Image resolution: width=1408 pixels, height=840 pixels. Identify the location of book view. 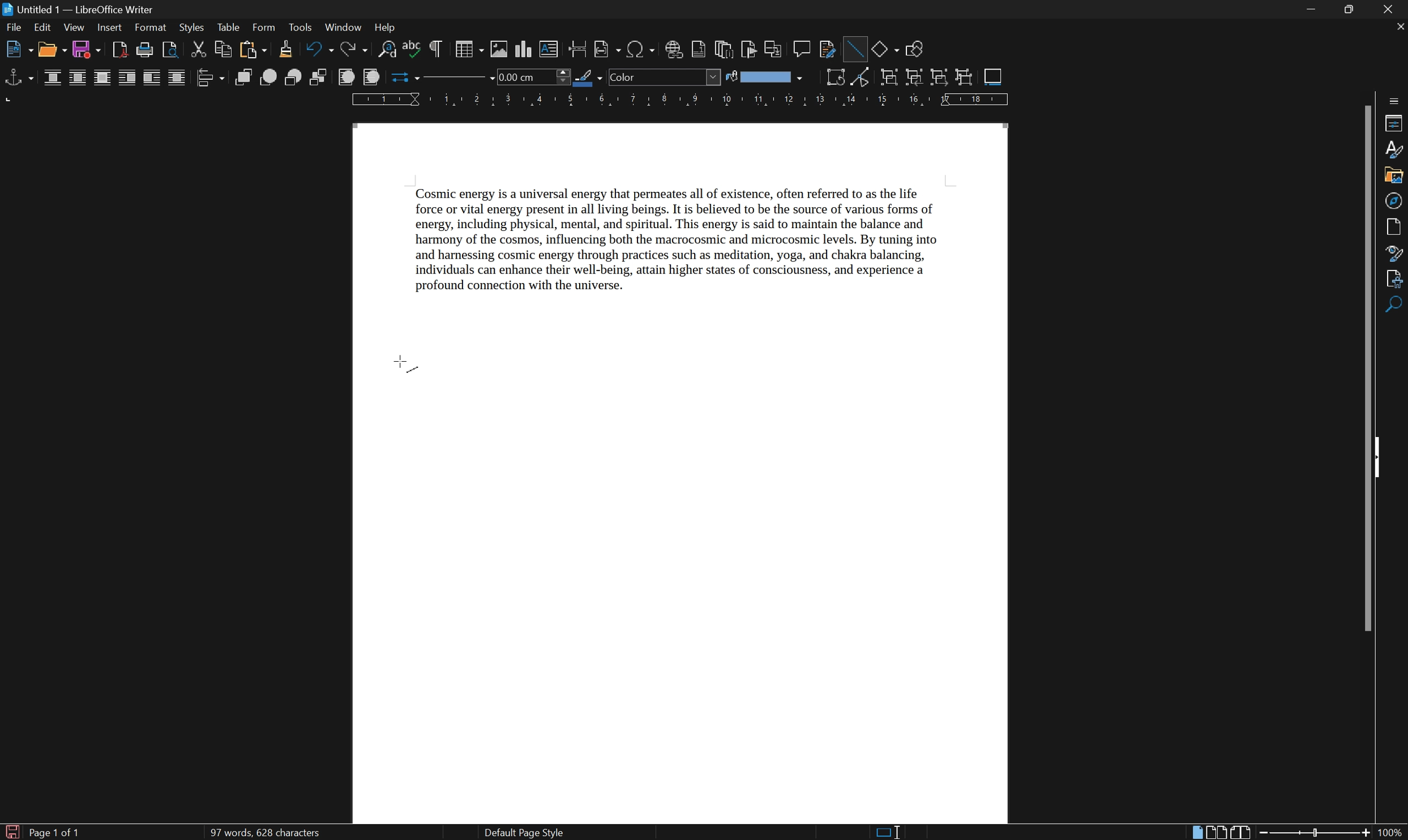
(1241, 832).